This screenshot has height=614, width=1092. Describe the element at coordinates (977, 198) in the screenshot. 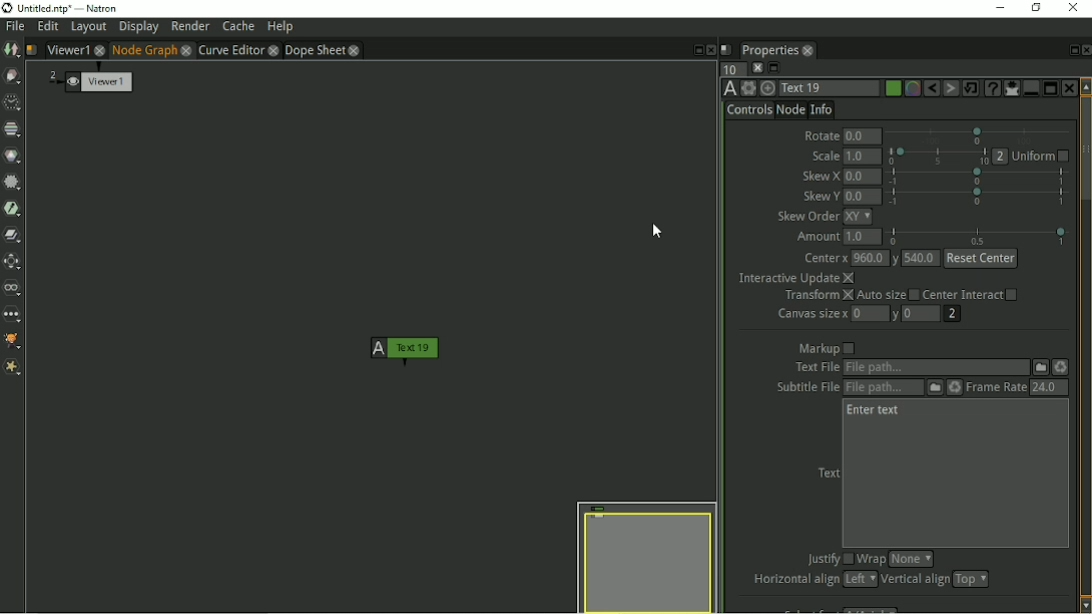

I see `selection bar` at that location.